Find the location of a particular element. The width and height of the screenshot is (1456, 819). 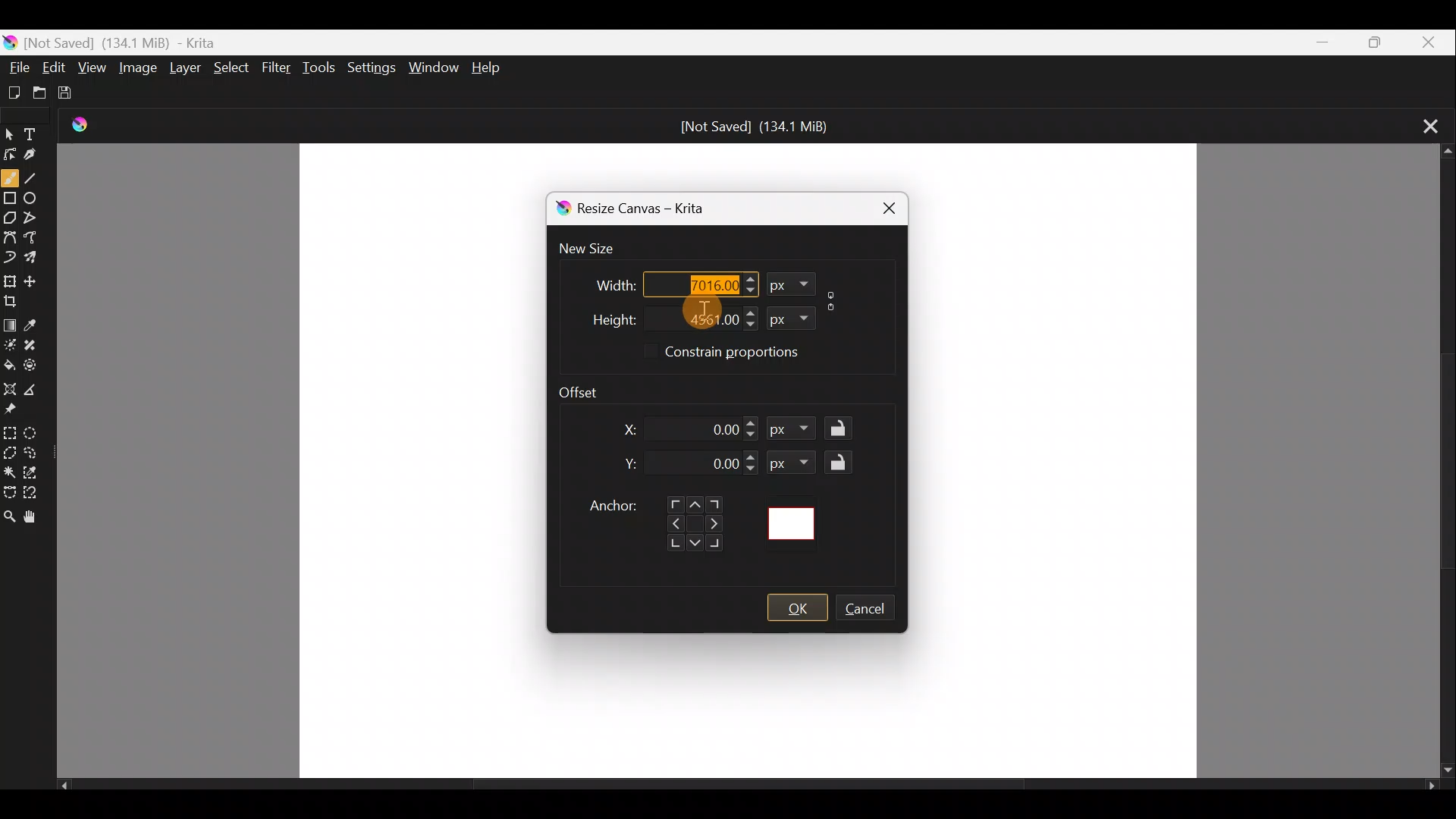

Krita Logo is located at coordinates (11, 39).